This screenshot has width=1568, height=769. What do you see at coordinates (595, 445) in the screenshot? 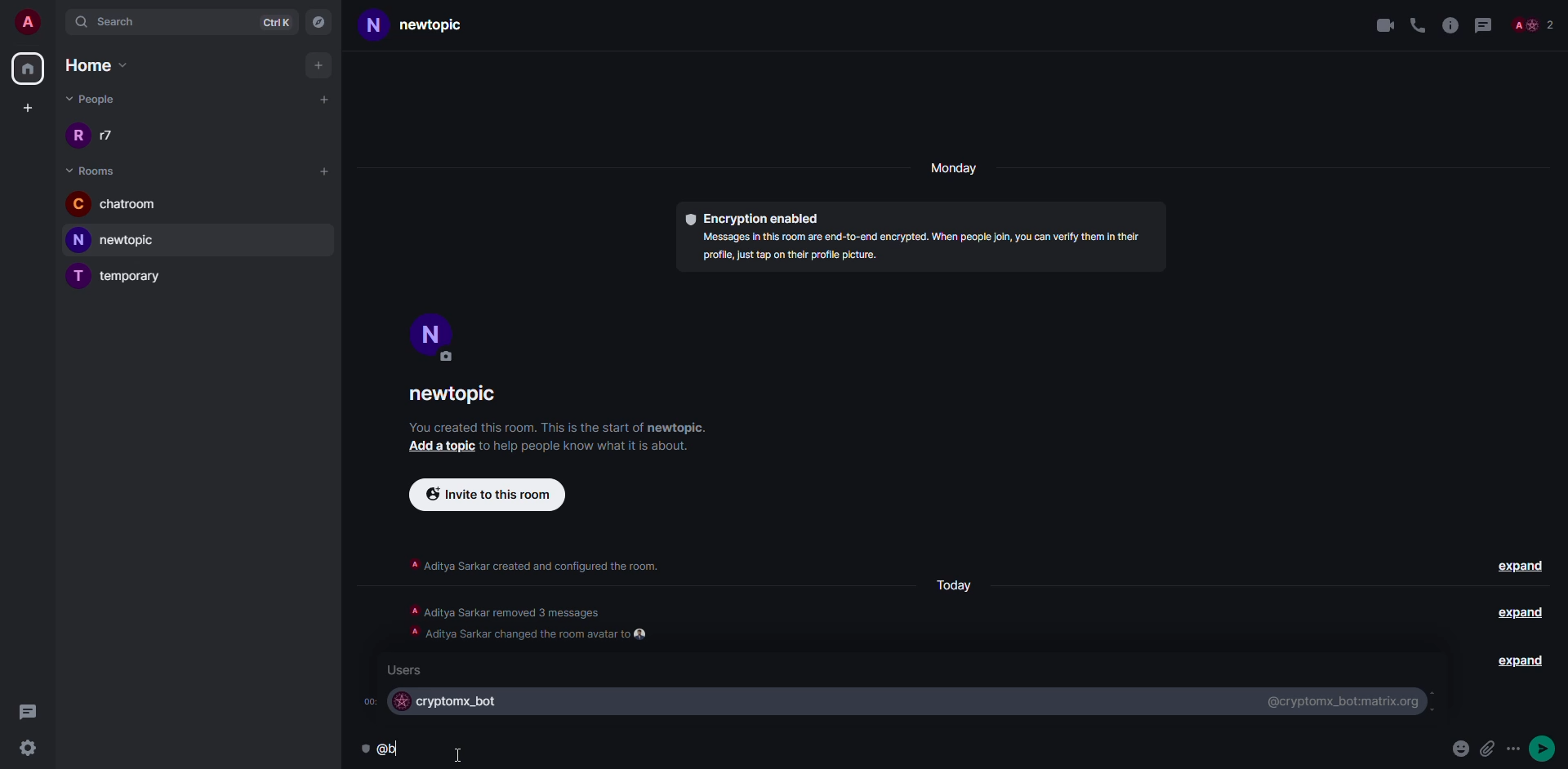
I see `s to help people know what it is about.` at bounding box center [595, 445].